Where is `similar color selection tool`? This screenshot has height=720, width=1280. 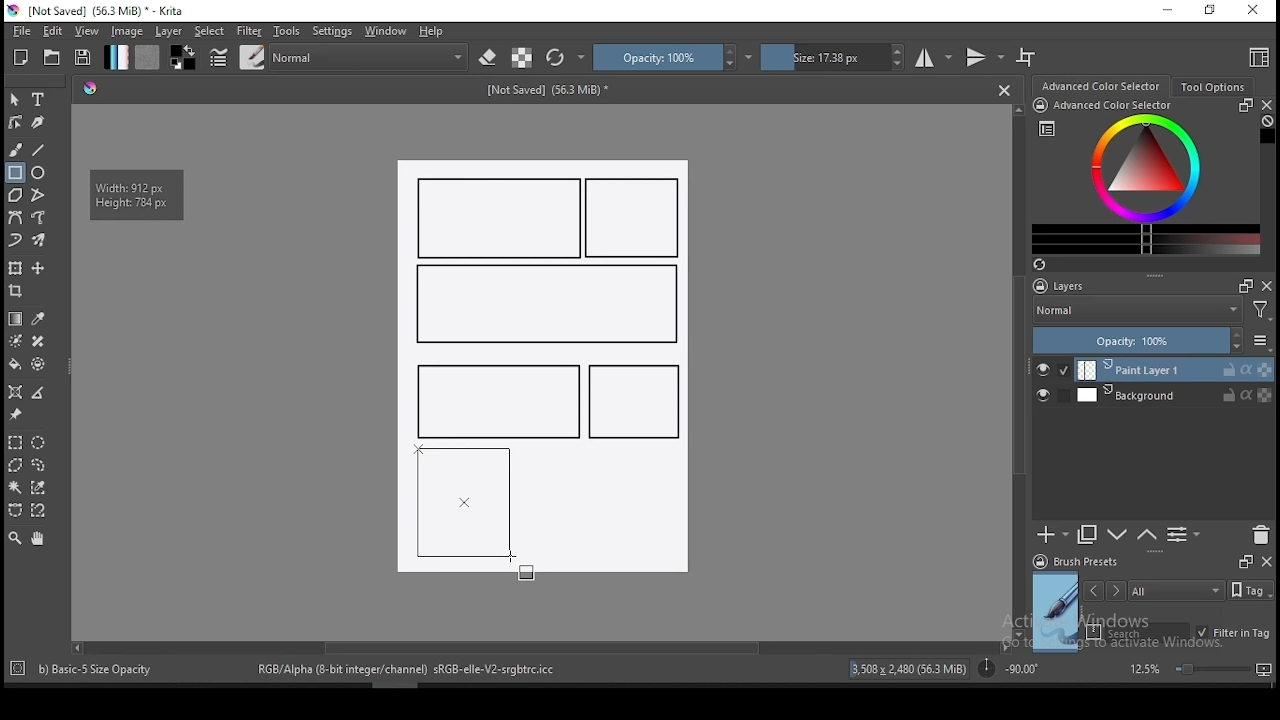 similar color selection tool is located at coordinates (41, 487).